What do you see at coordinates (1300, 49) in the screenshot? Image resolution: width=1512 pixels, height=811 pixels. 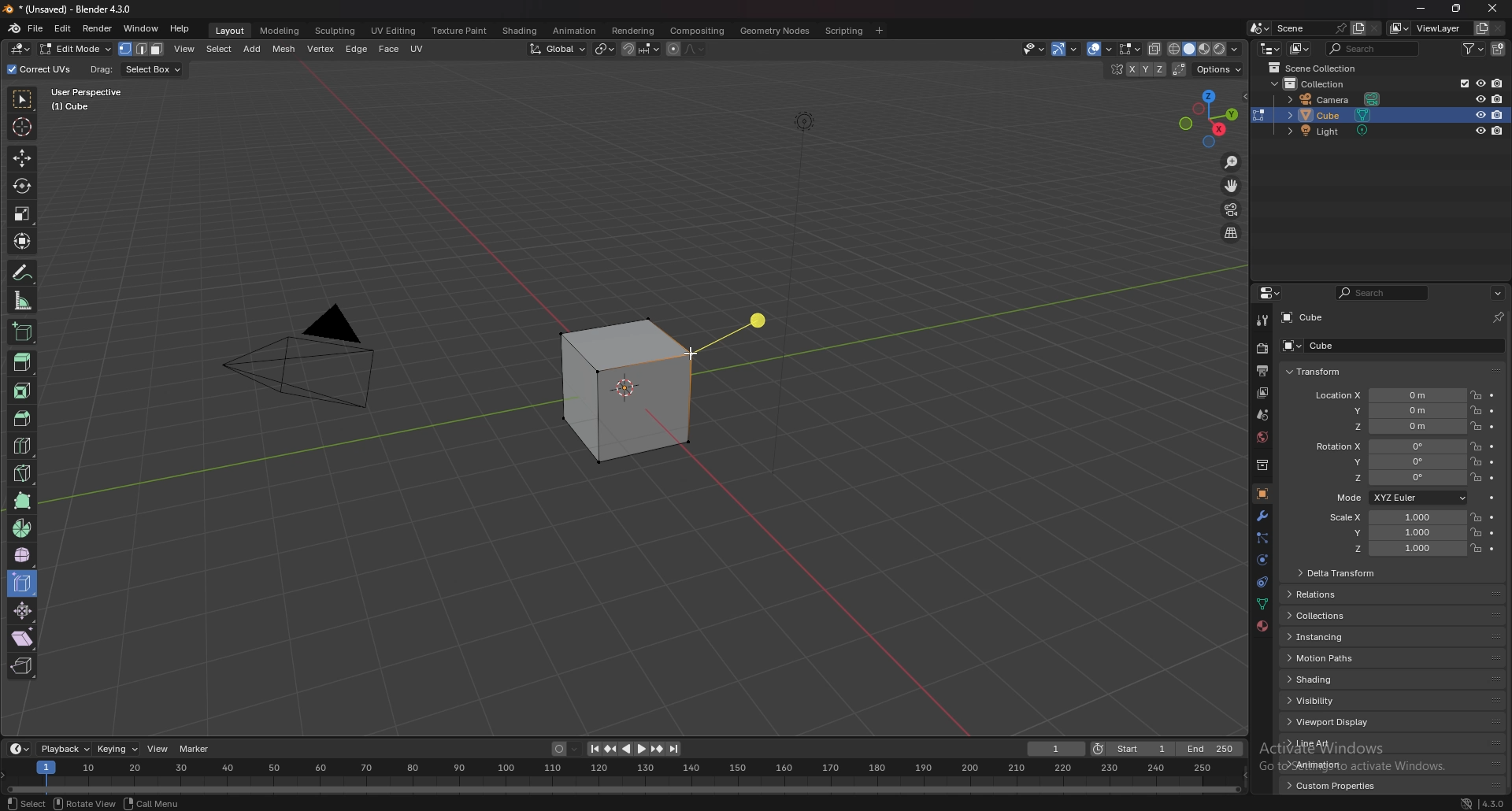 I see `display mode` at bounding box center [1300, 49].